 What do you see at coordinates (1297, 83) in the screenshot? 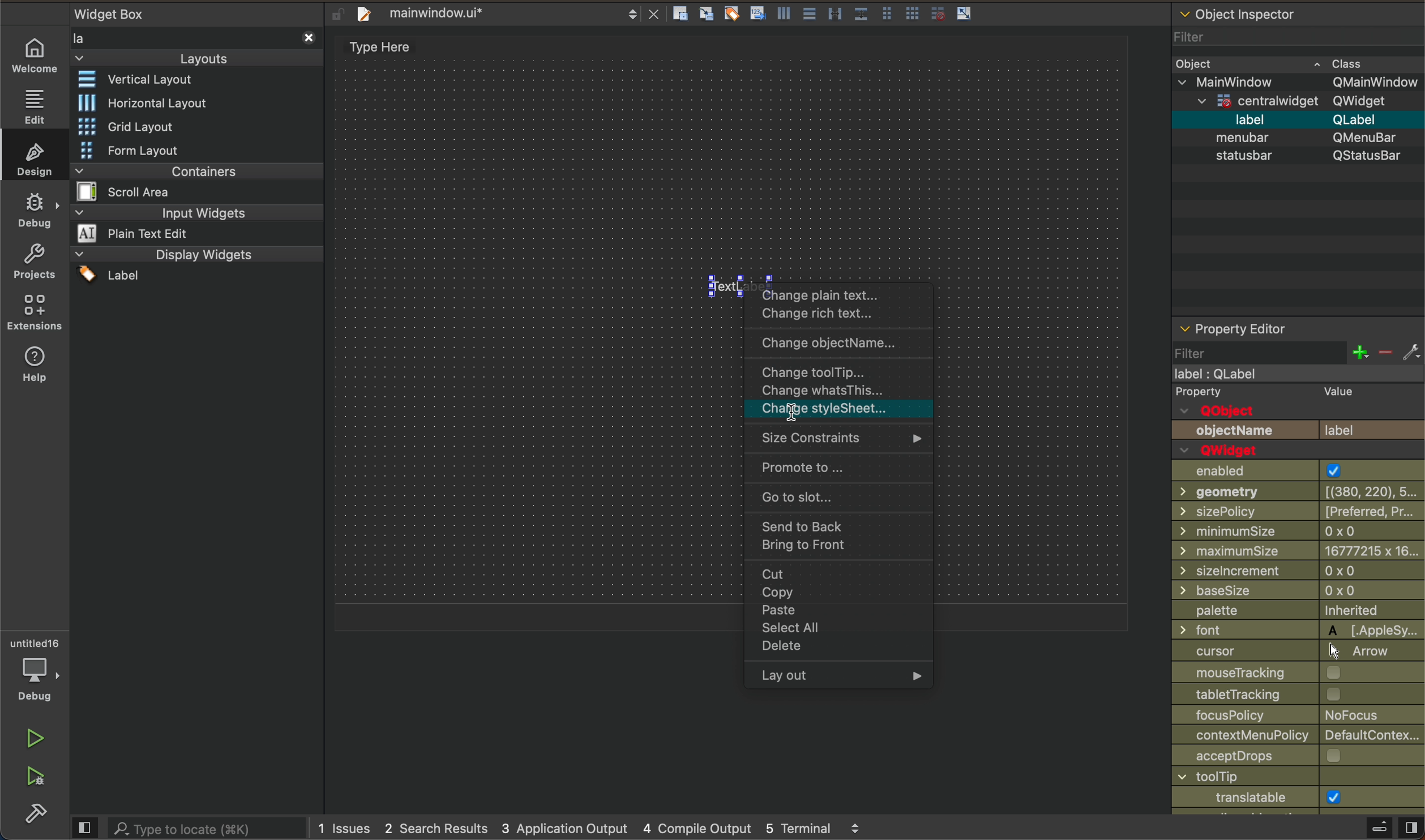
I see `main window` at bounding box center [1297, 83].